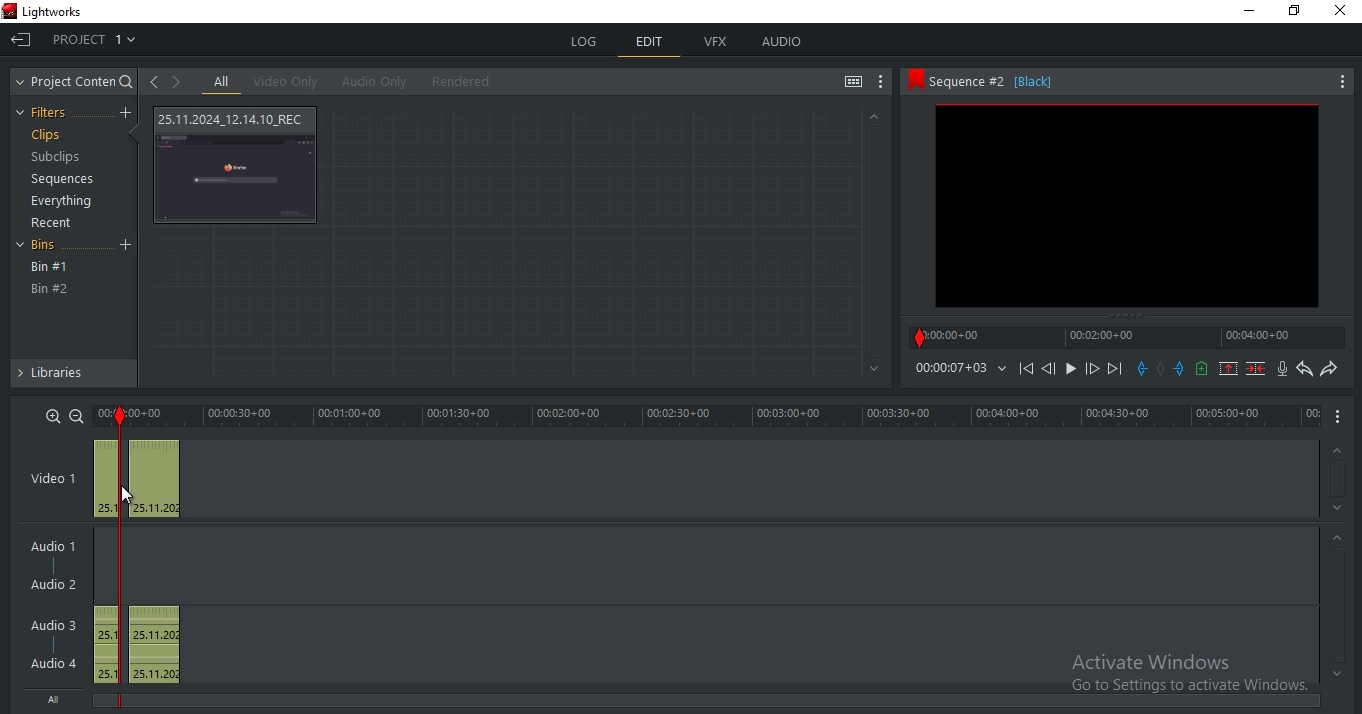  Describe the element at coordinates (586, 42) in the screenshot. I see `log` at that location.